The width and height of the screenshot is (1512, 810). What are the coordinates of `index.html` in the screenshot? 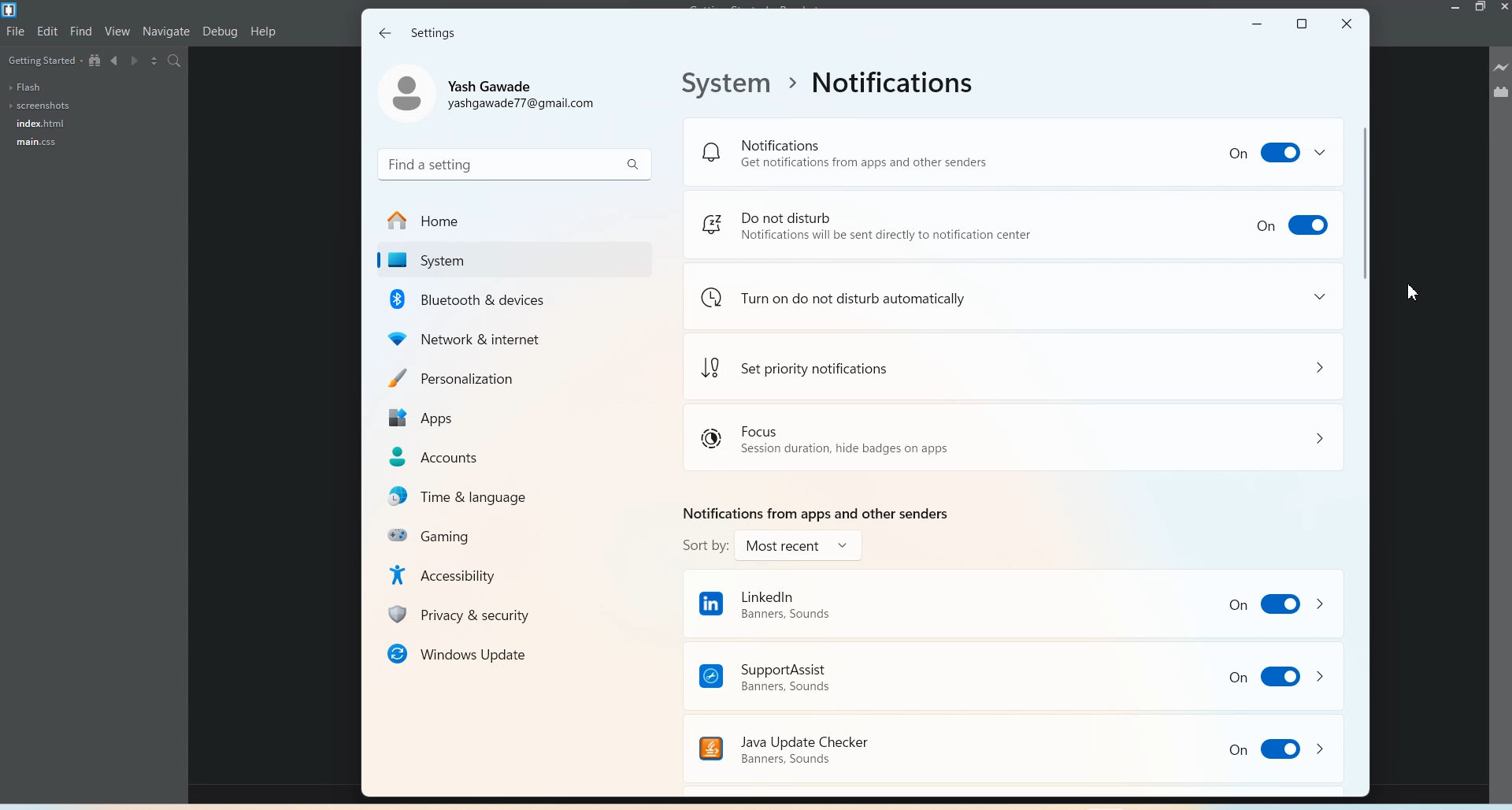 It's located at (37, 123).